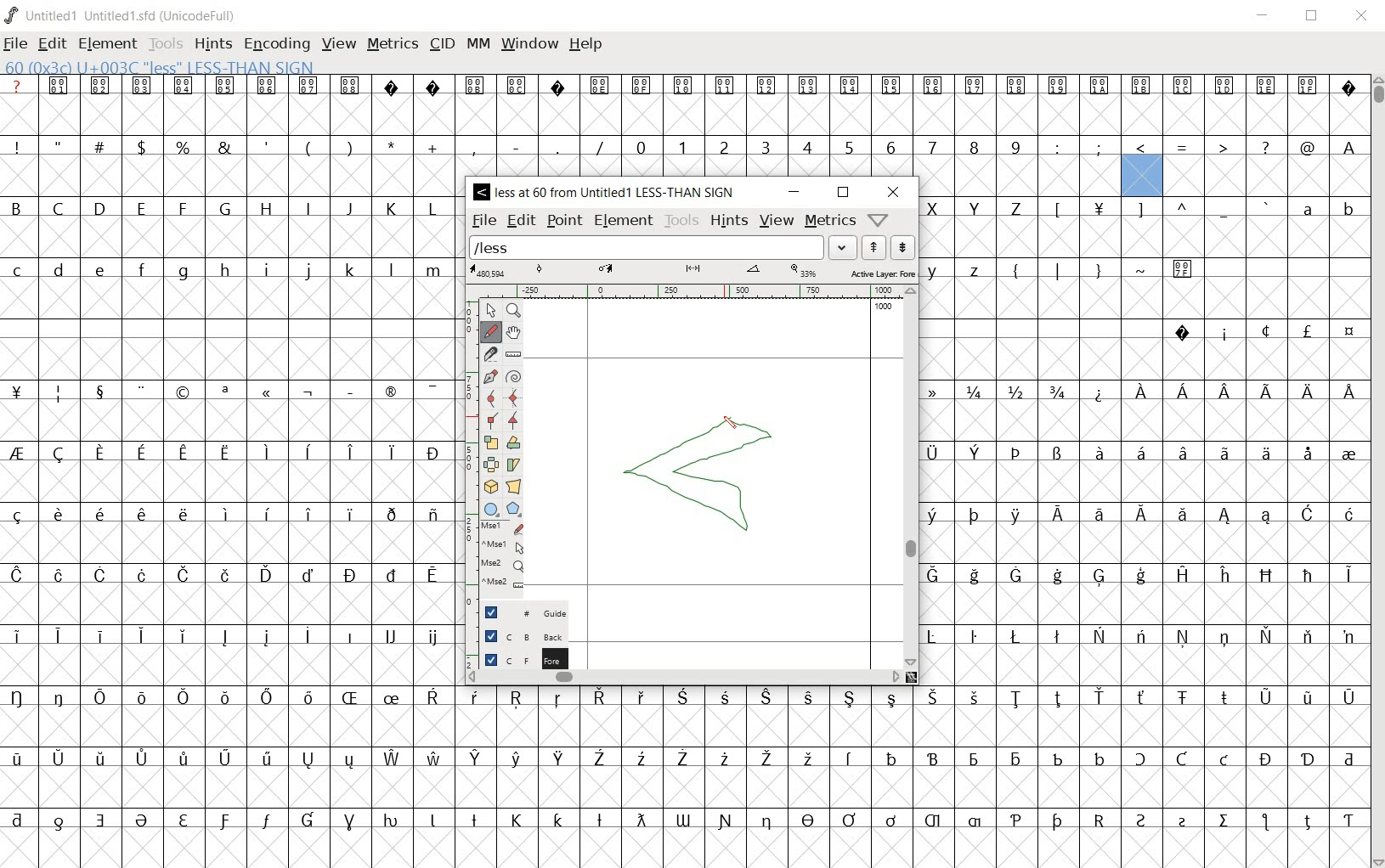 The image size is (1385, 868). I want to click on , so click(680, 697).